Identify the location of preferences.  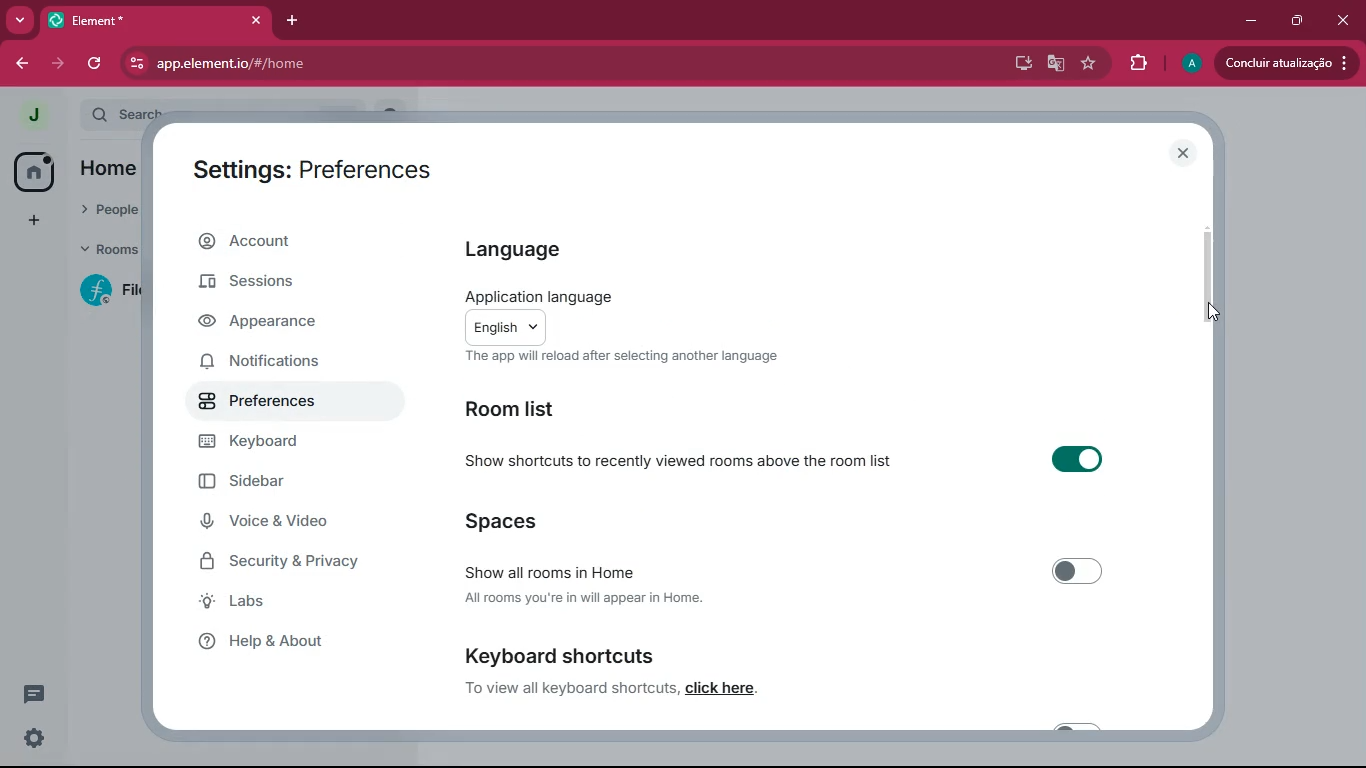
(283, 402).